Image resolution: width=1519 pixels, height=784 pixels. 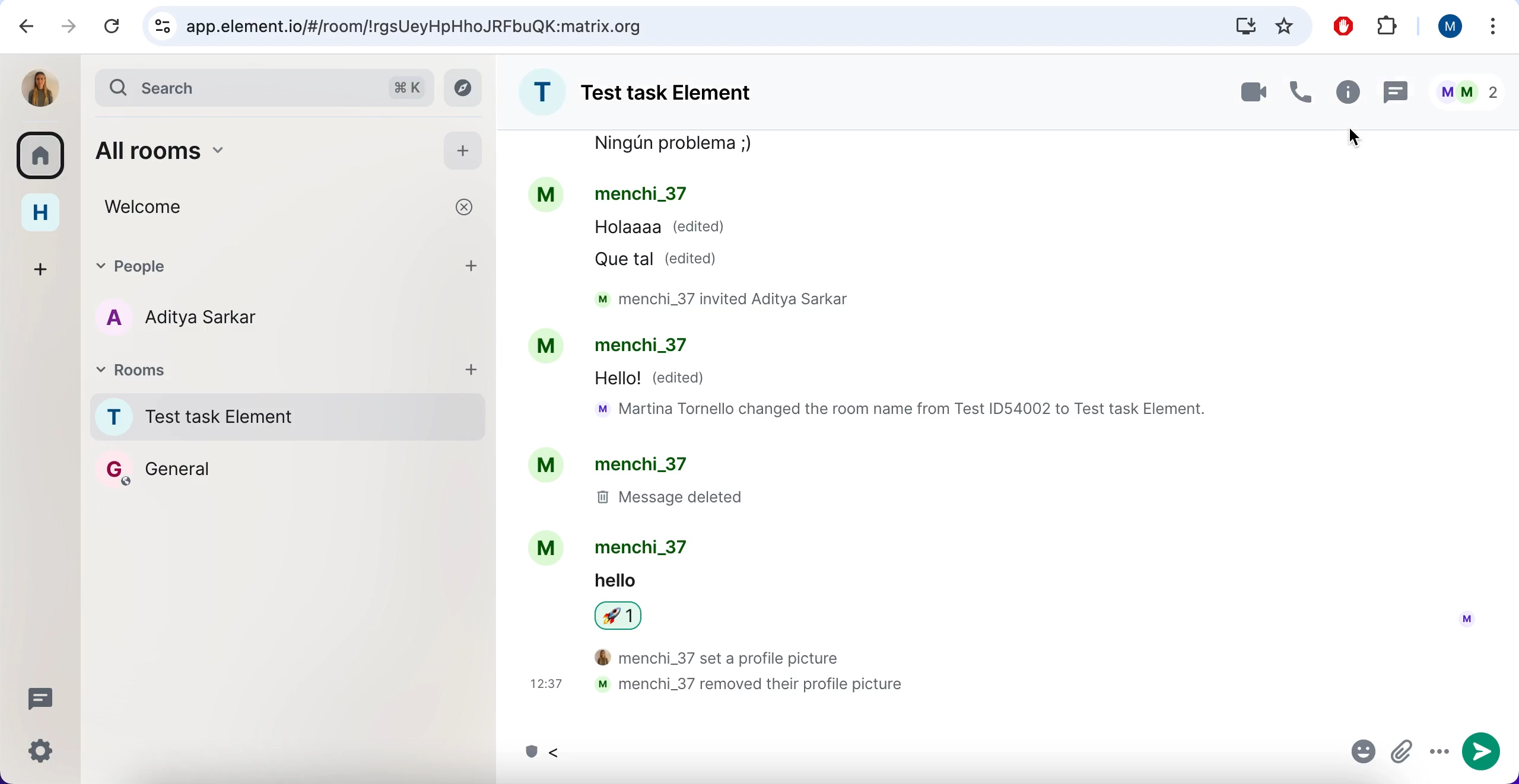 What do you see at coordinates (1482, 754) in the screenshot?
I see `send` at bounding box center [1482, 754].